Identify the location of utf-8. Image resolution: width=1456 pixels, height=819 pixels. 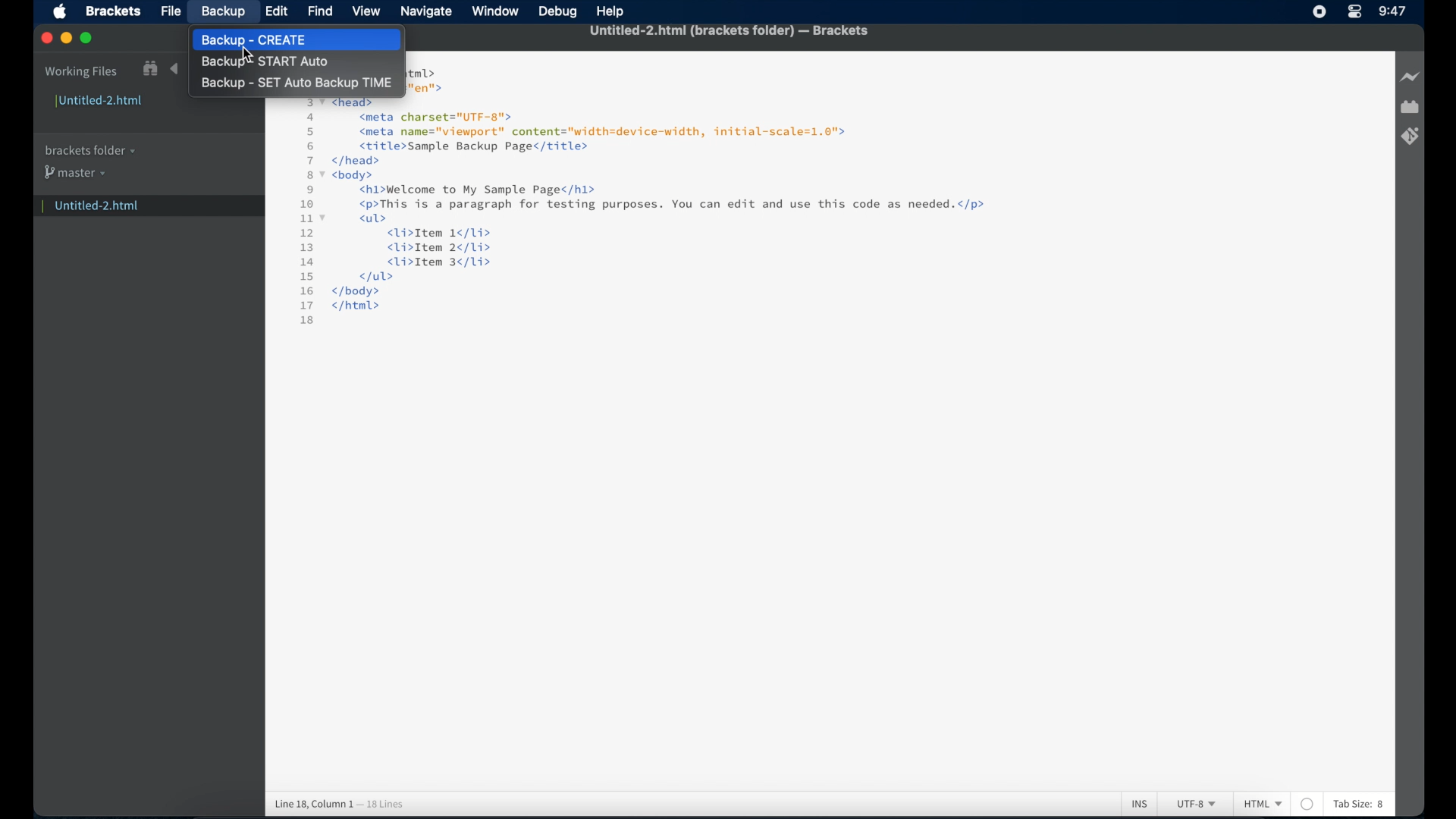
(1197, 804).